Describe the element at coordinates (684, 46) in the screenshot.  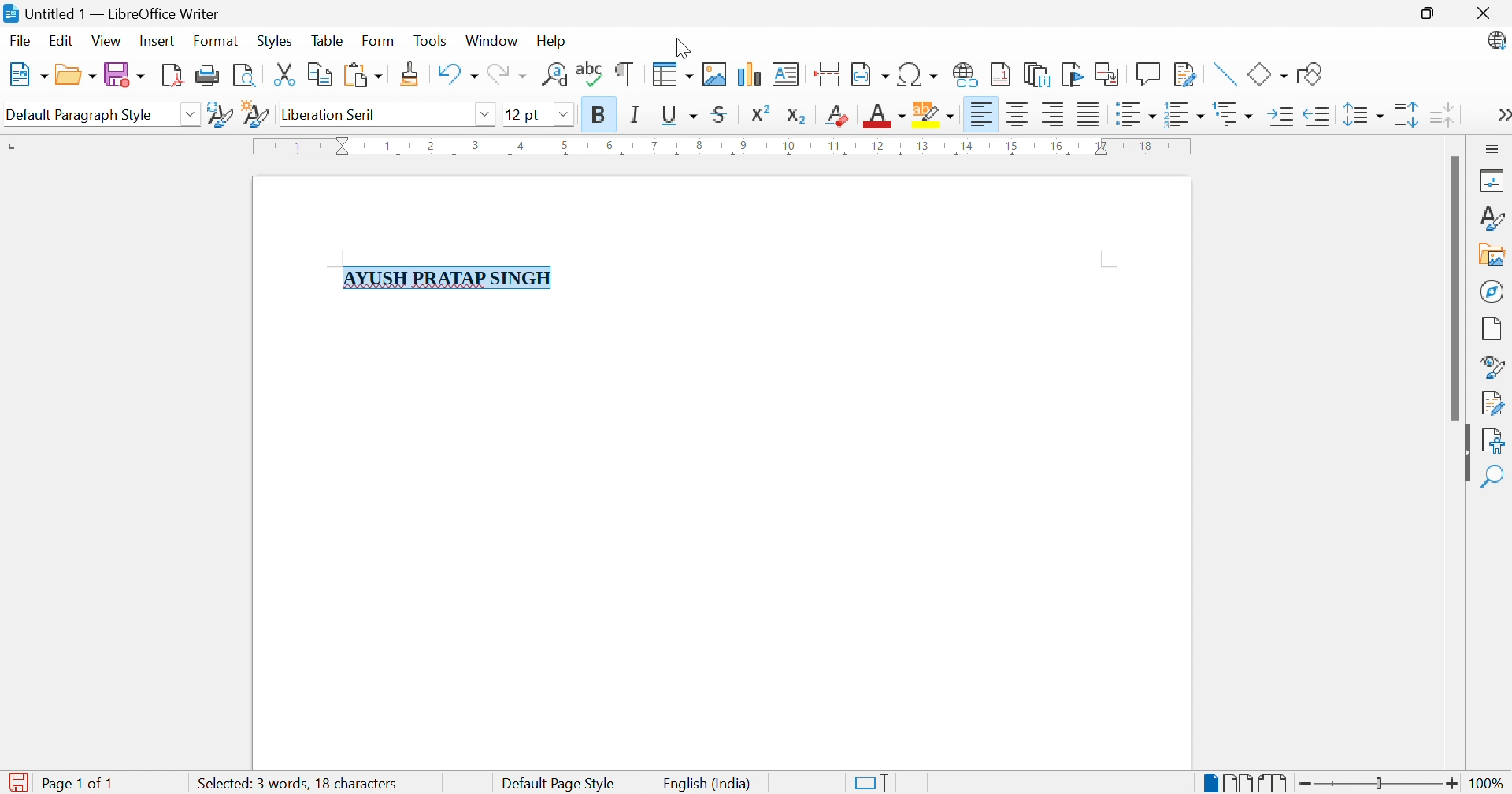
I see `Cursor` at that location.